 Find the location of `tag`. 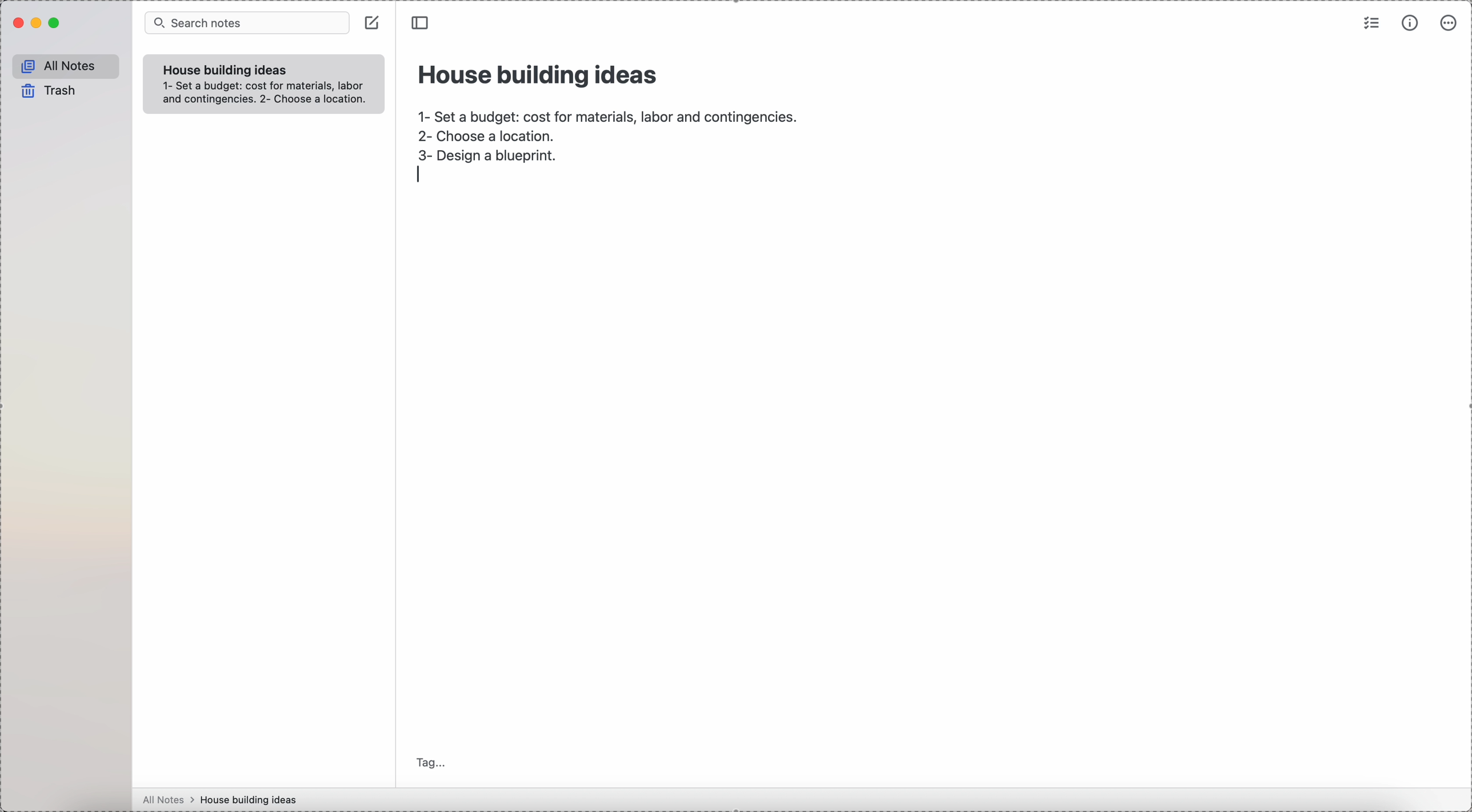

tag is located at coordinates (433, 762).